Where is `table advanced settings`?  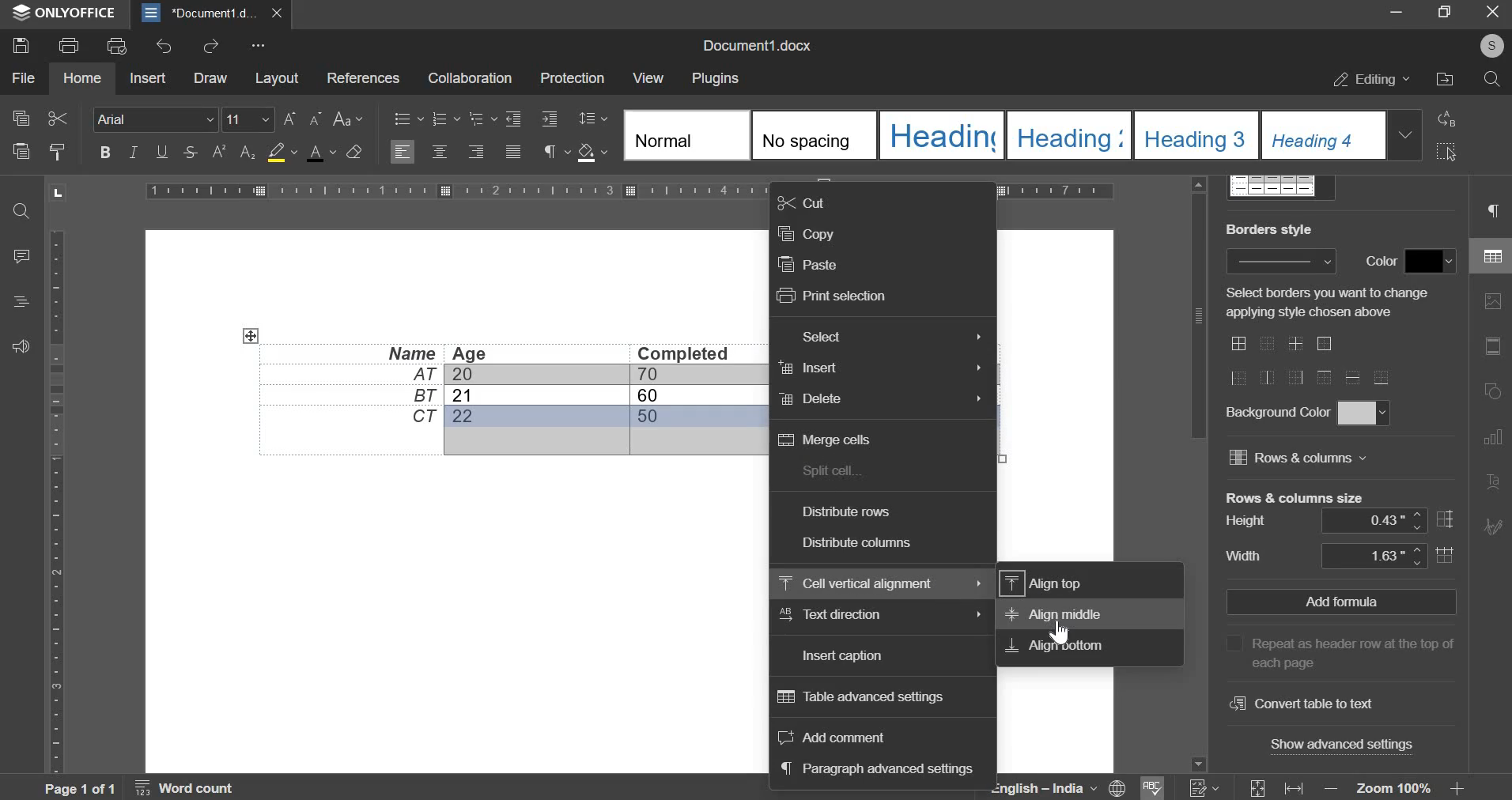 table advanced settings is located at coordinates (863, 696).